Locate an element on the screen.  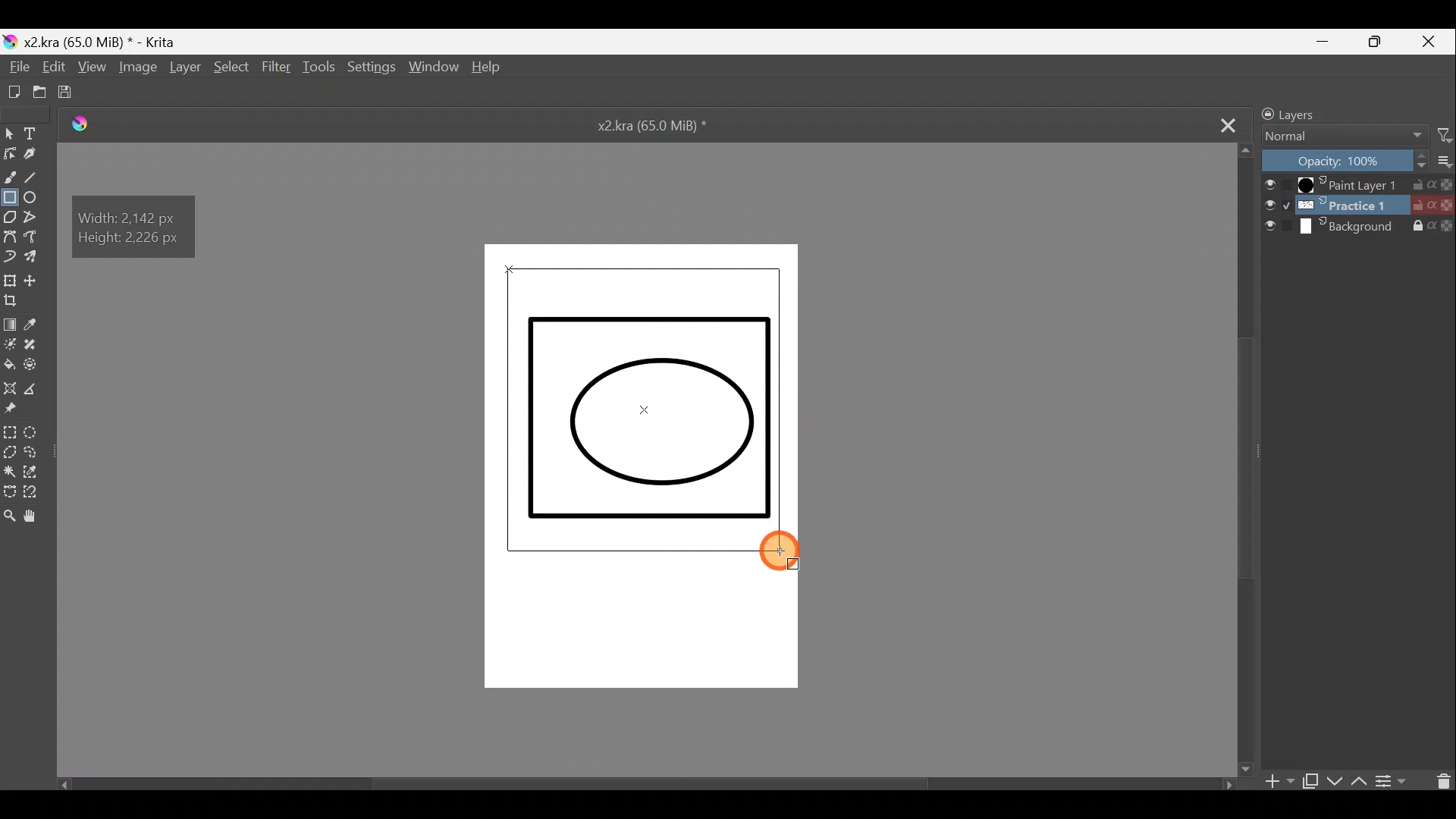
Colourise mask tool is located at coordinates (9, 344).